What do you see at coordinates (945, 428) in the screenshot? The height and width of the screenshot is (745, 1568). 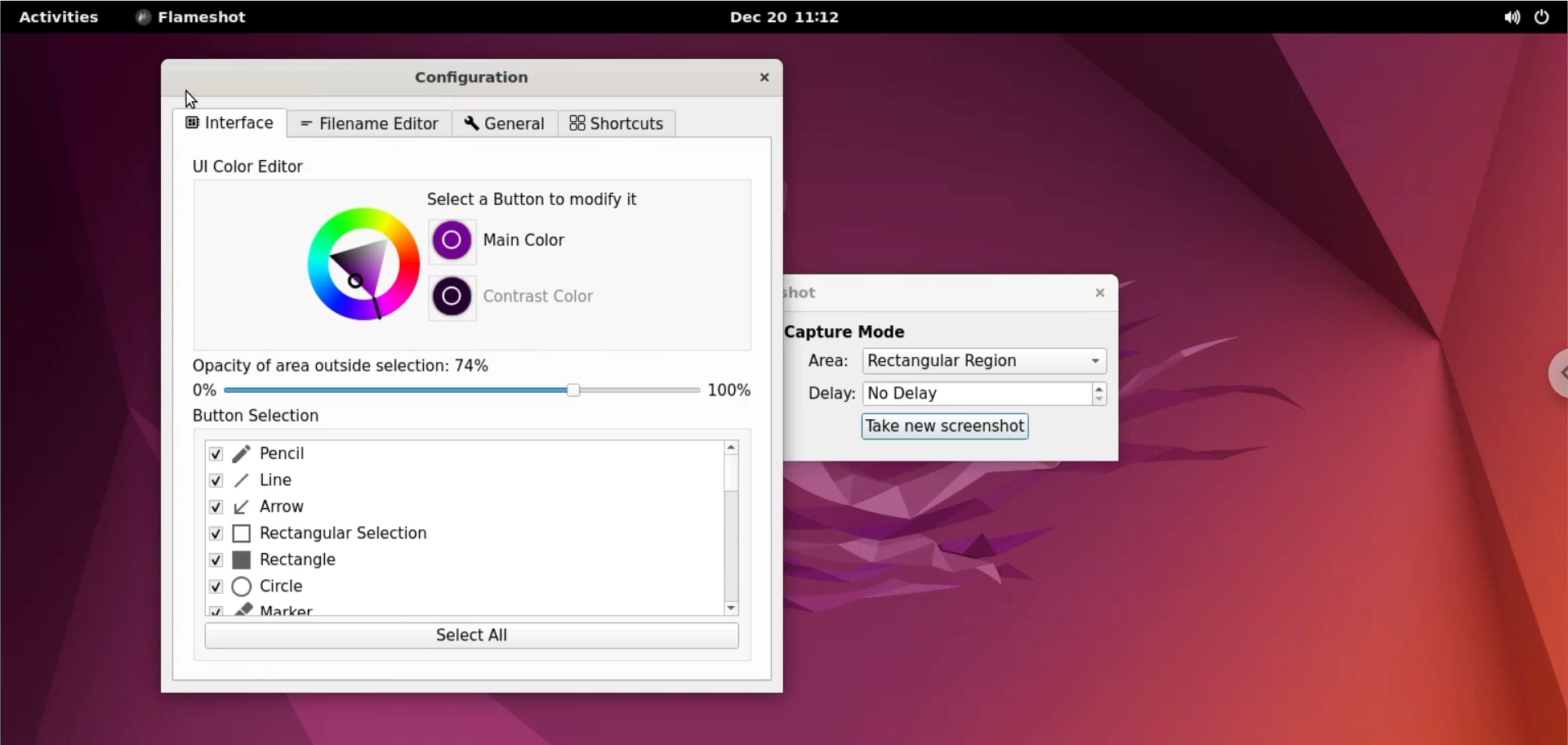 I see `take new screenshot` at bounding box center [945, 428].